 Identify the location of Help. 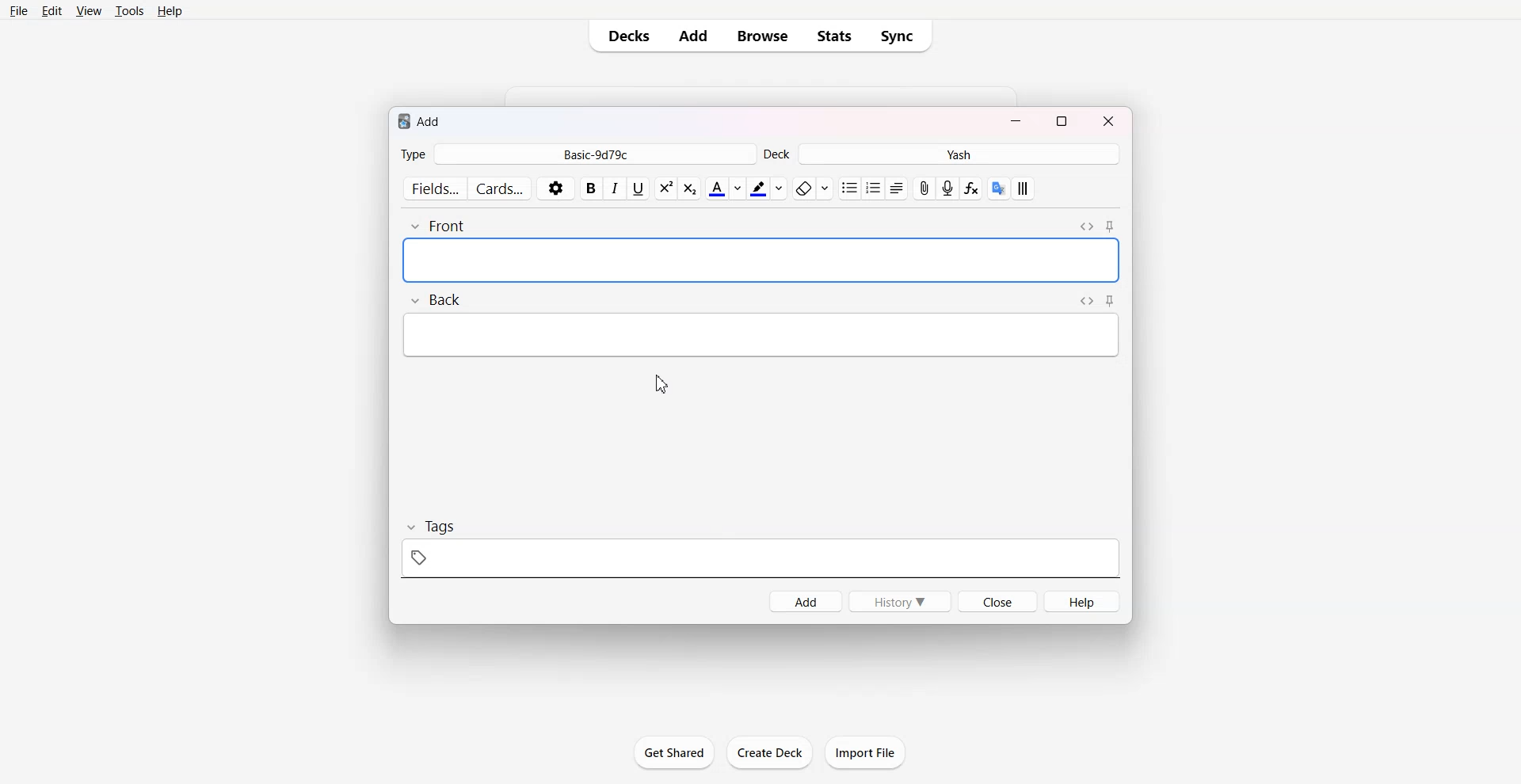
(1081, 601).